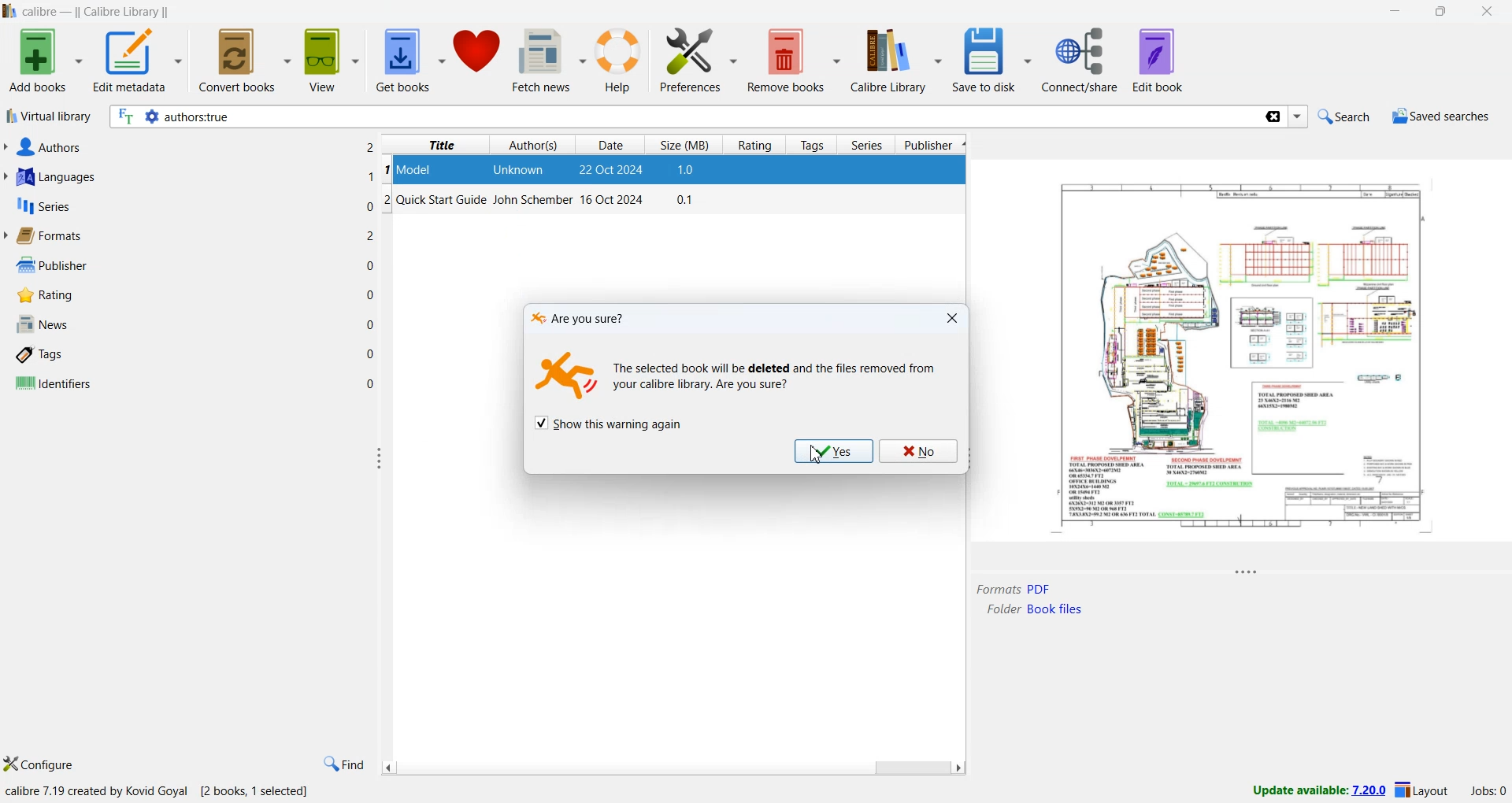 Image resolution: width=1512 pixels, height=803 pixels. I want to click on title, so click(442, 145).